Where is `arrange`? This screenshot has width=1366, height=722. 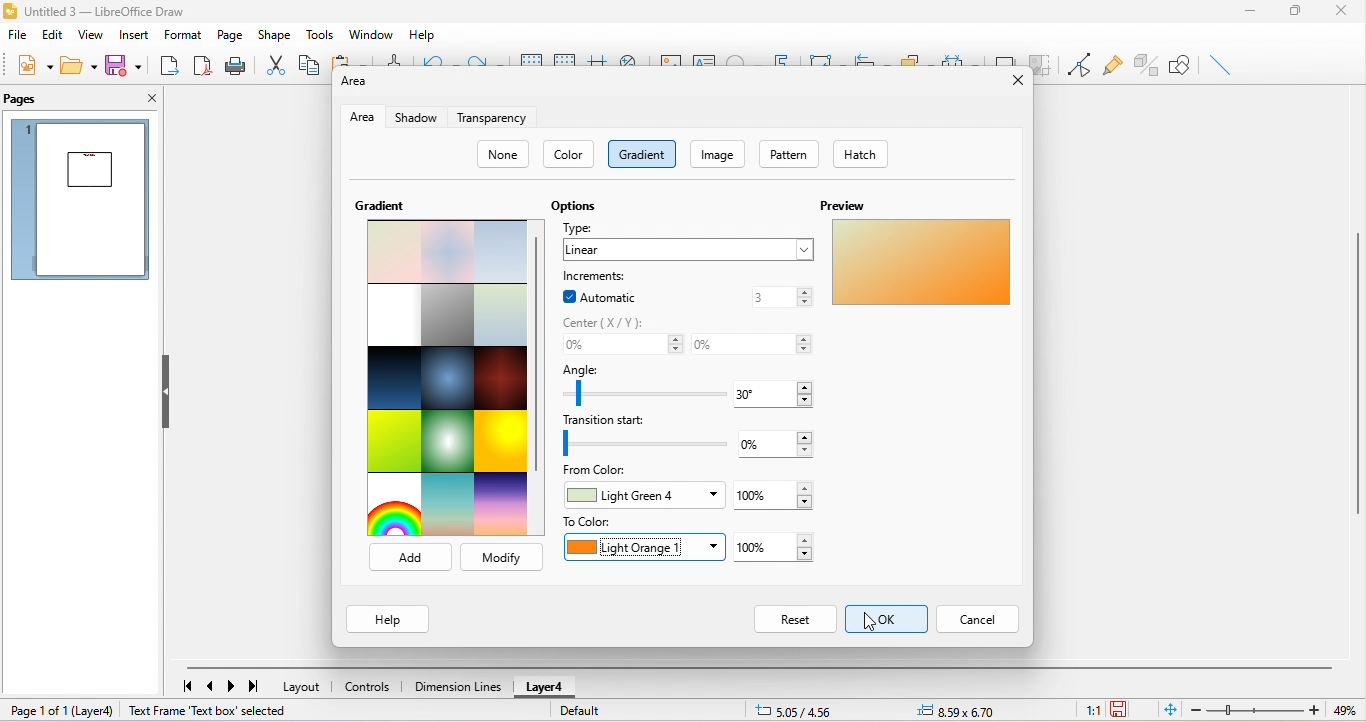
arrange is located at coordinates (914, 56).